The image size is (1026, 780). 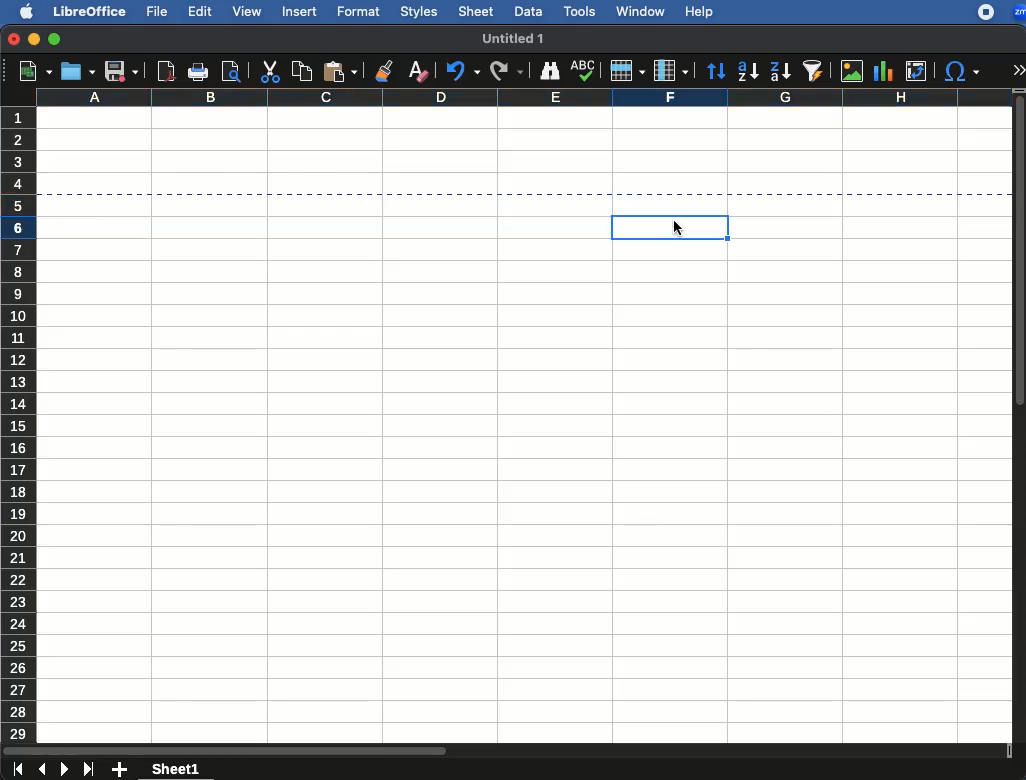 What do you see at coordinates (77, 71) in the screenshot?
I see `open` at bounding box center [77, 71].